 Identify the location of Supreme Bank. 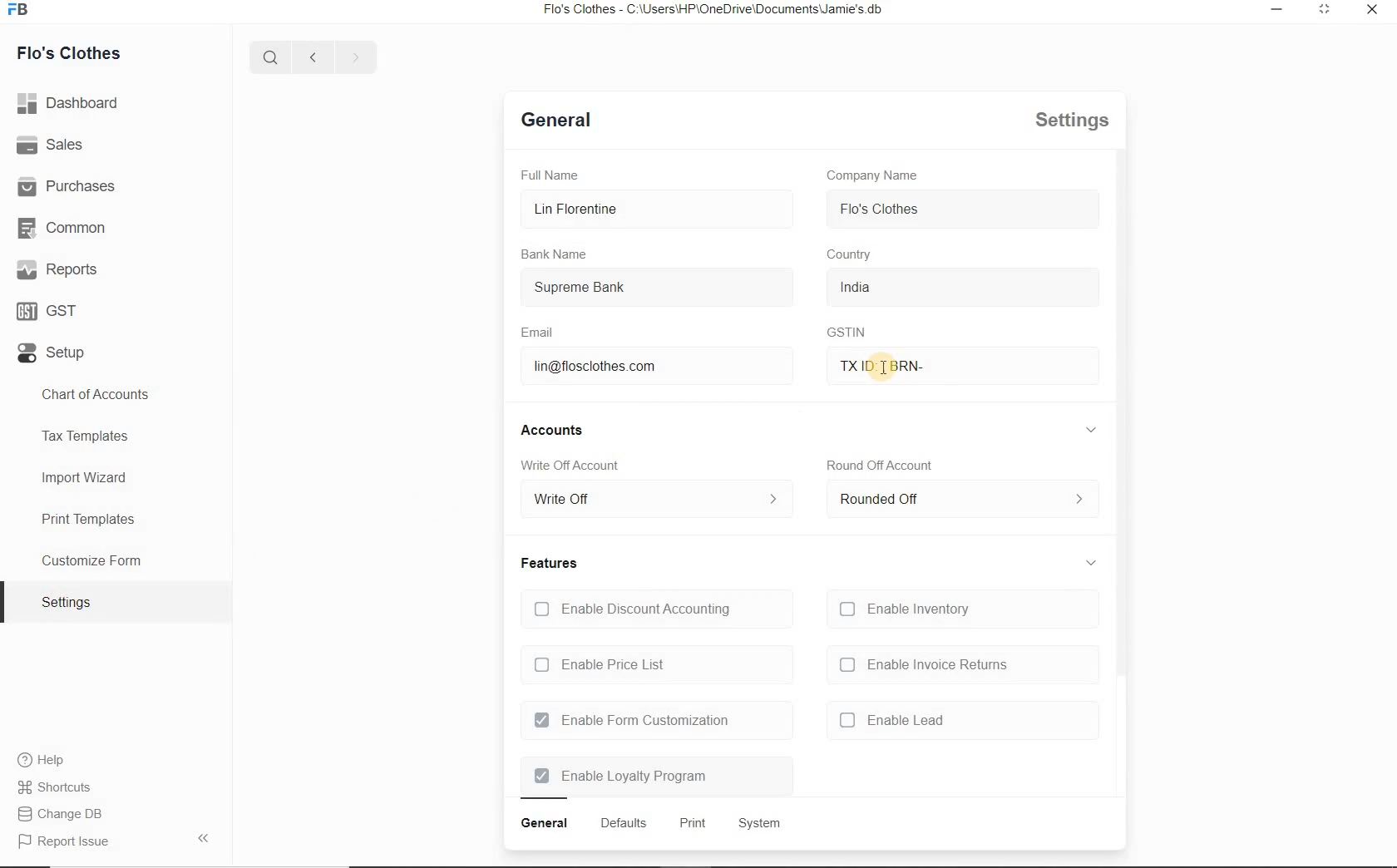
(633, 289).